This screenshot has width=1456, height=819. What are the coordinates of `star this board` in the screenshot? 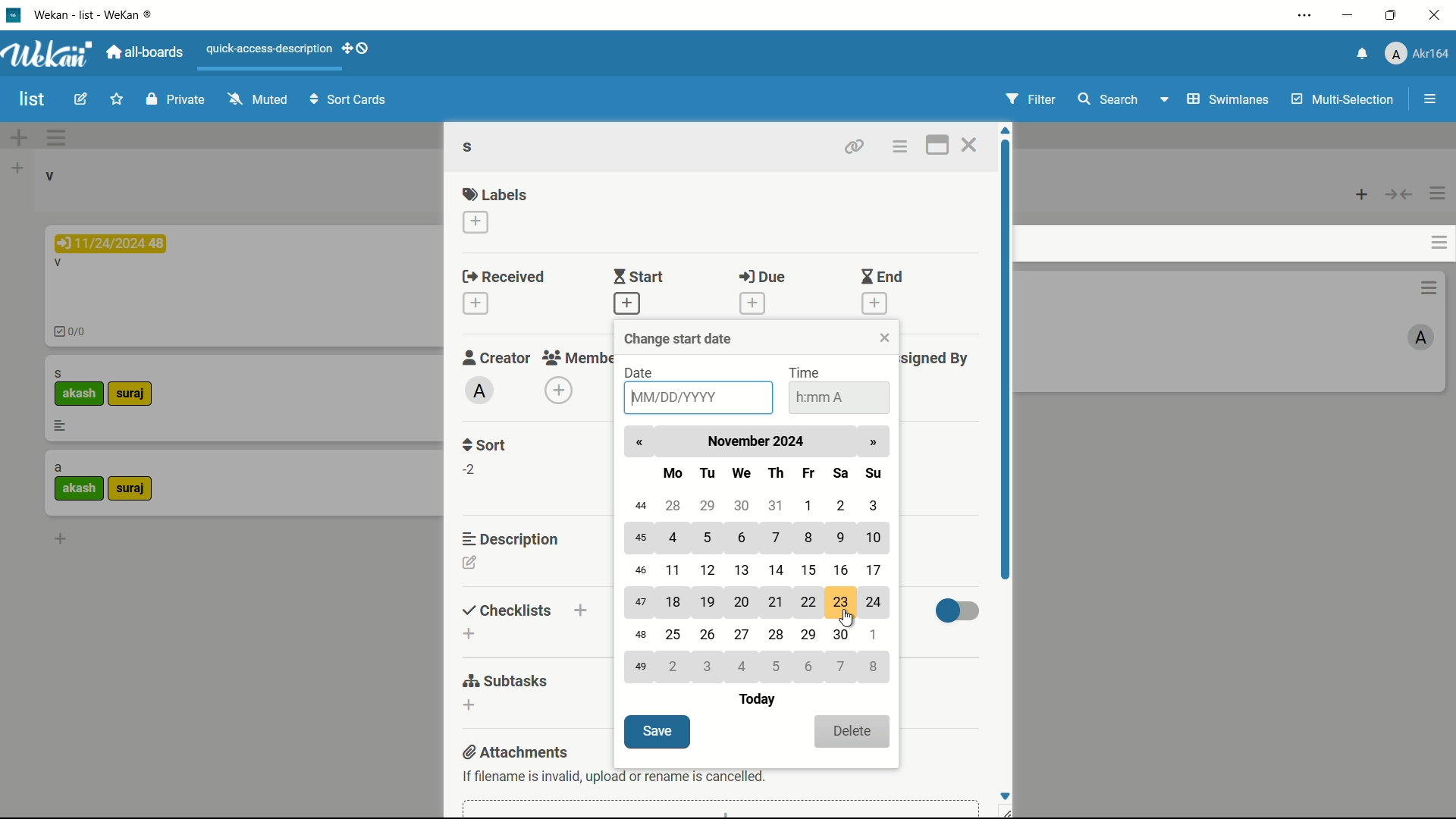 It's located at (116, 99).